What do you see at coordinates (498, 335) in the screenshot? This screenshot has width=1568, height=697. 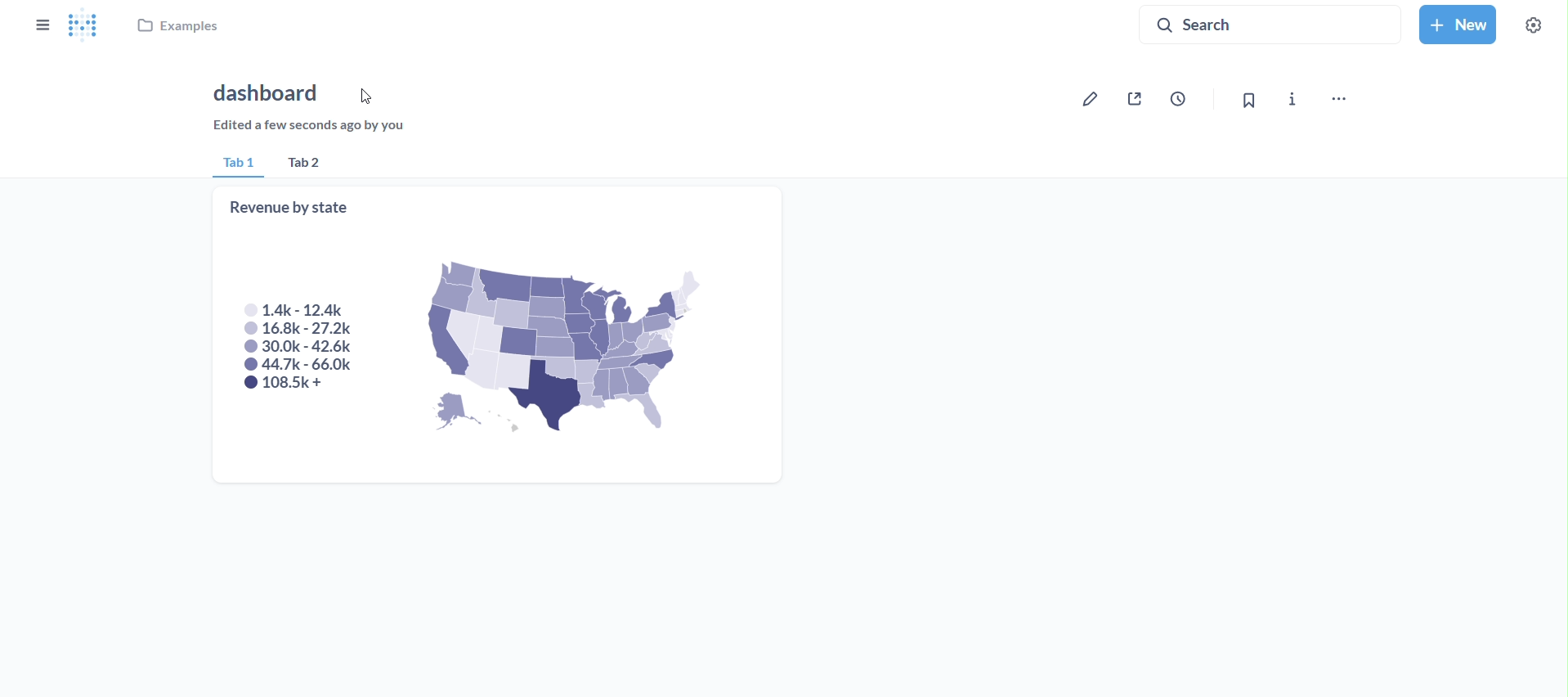 I see `revenue by state` at bounding box center [498, 335].